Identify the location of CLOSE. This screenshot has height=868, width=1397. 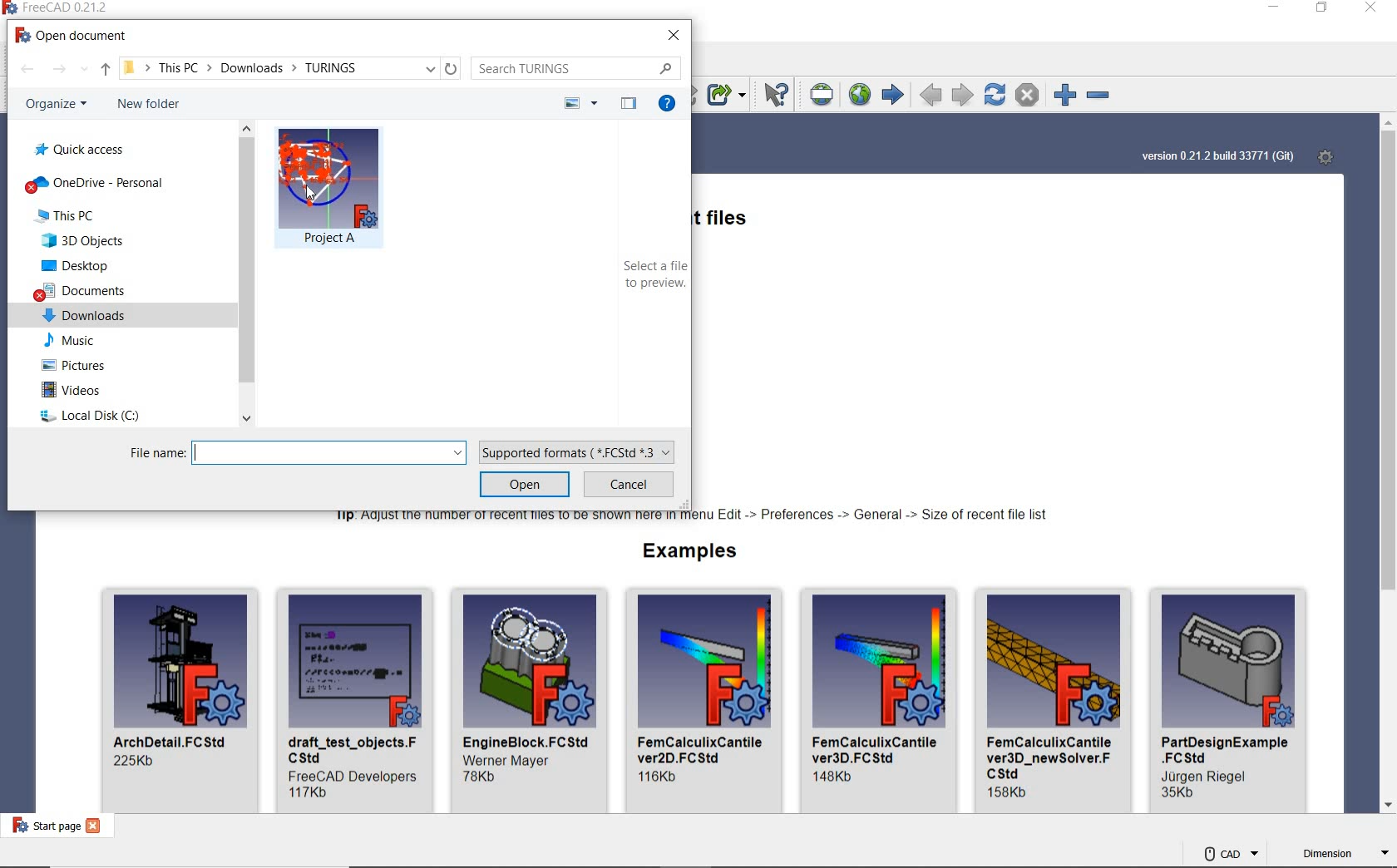
(674, 36).